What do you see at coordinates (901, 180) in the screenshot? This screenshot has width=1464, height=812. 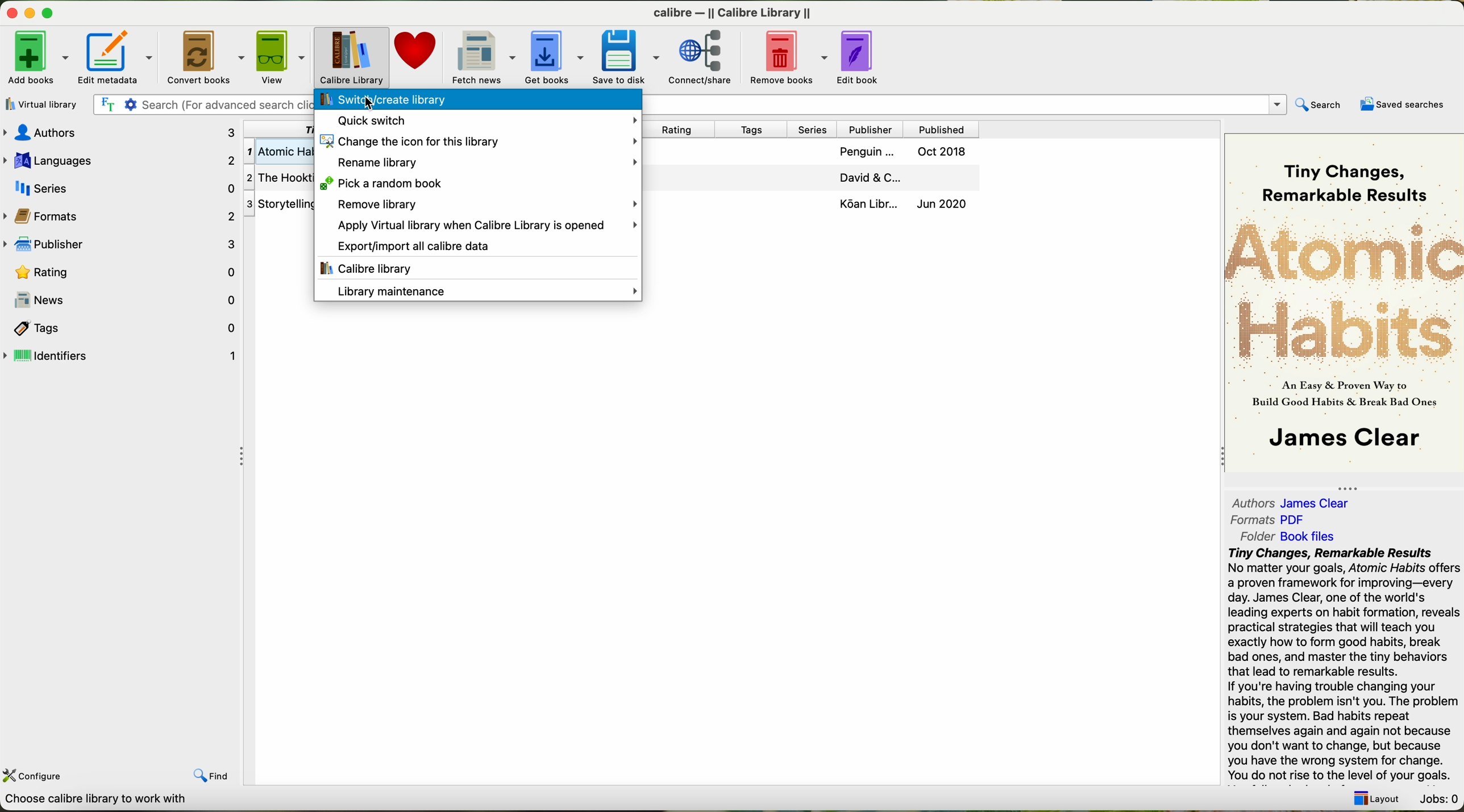 I see `David & C...` at bounding box center [901, 180].